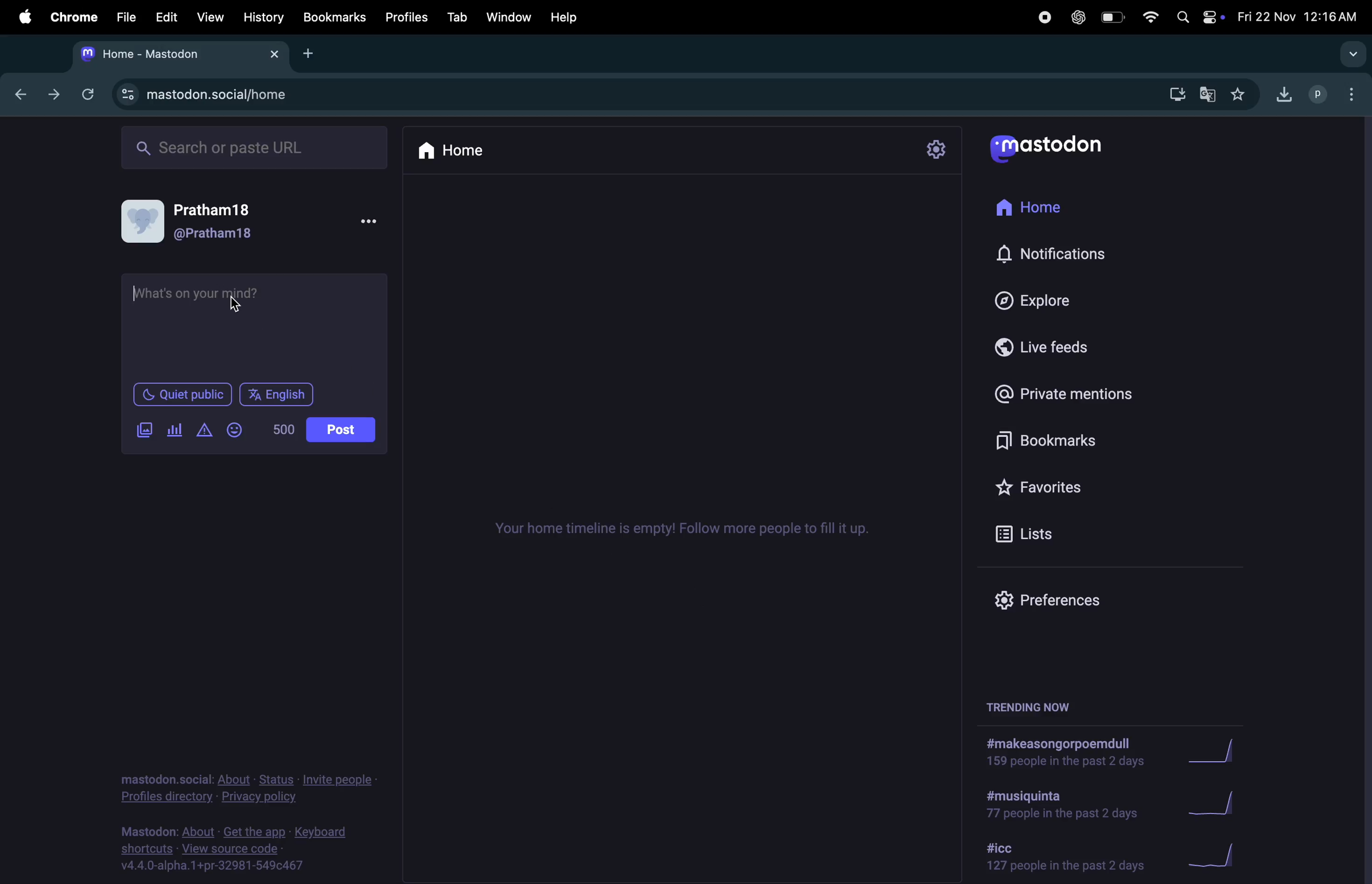 Image resolution: width=1372 pixels, height=884 pixels. What do you see at coordinates (180, 394) in the screenshot?
I see `quiet place` at bounding box center [180, 394].